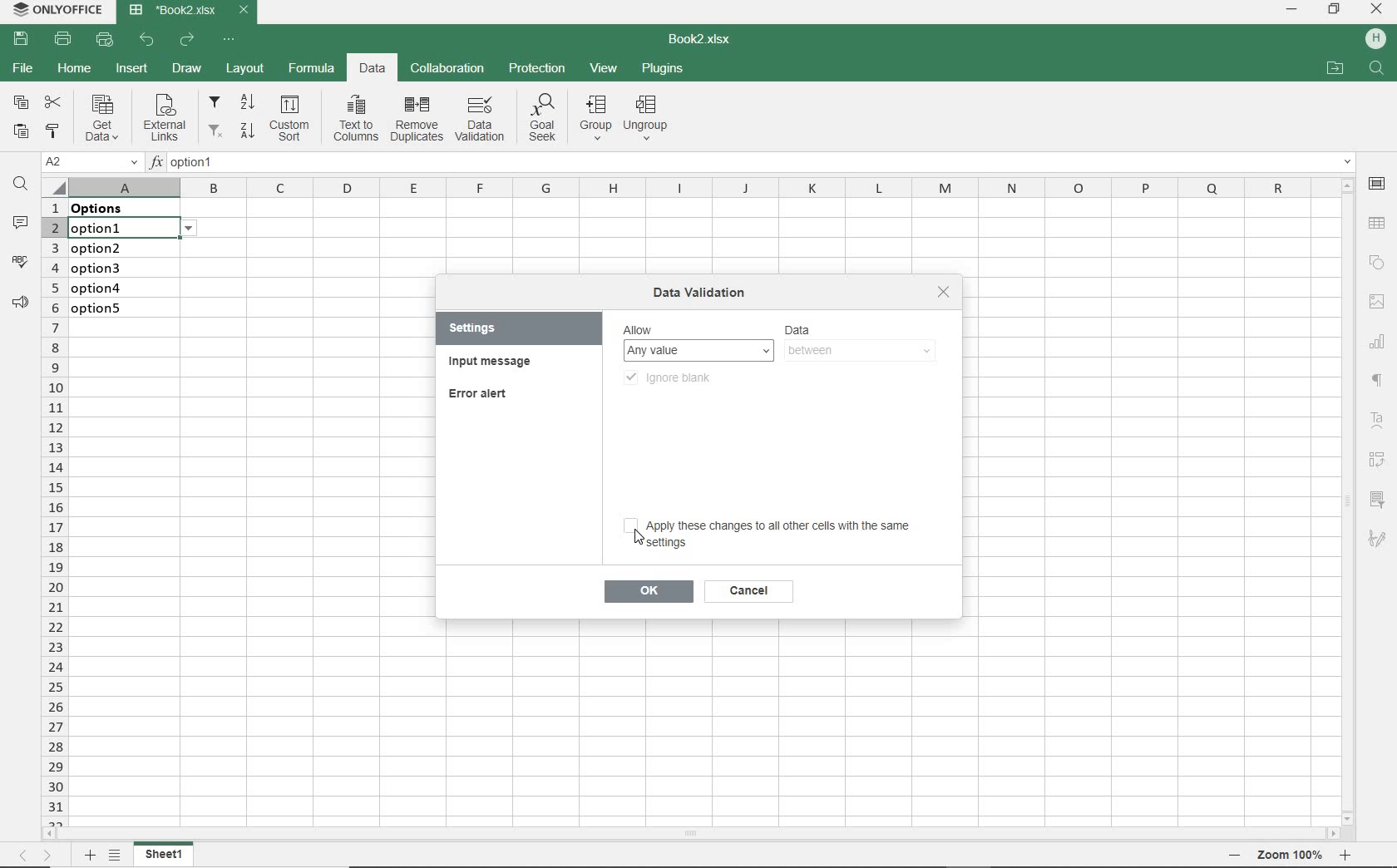 This screenshot has width=1397, height=868. What do you see at coordinates (194, 228) in the screenshot?
I see `options` at bounding box center [194, 228].